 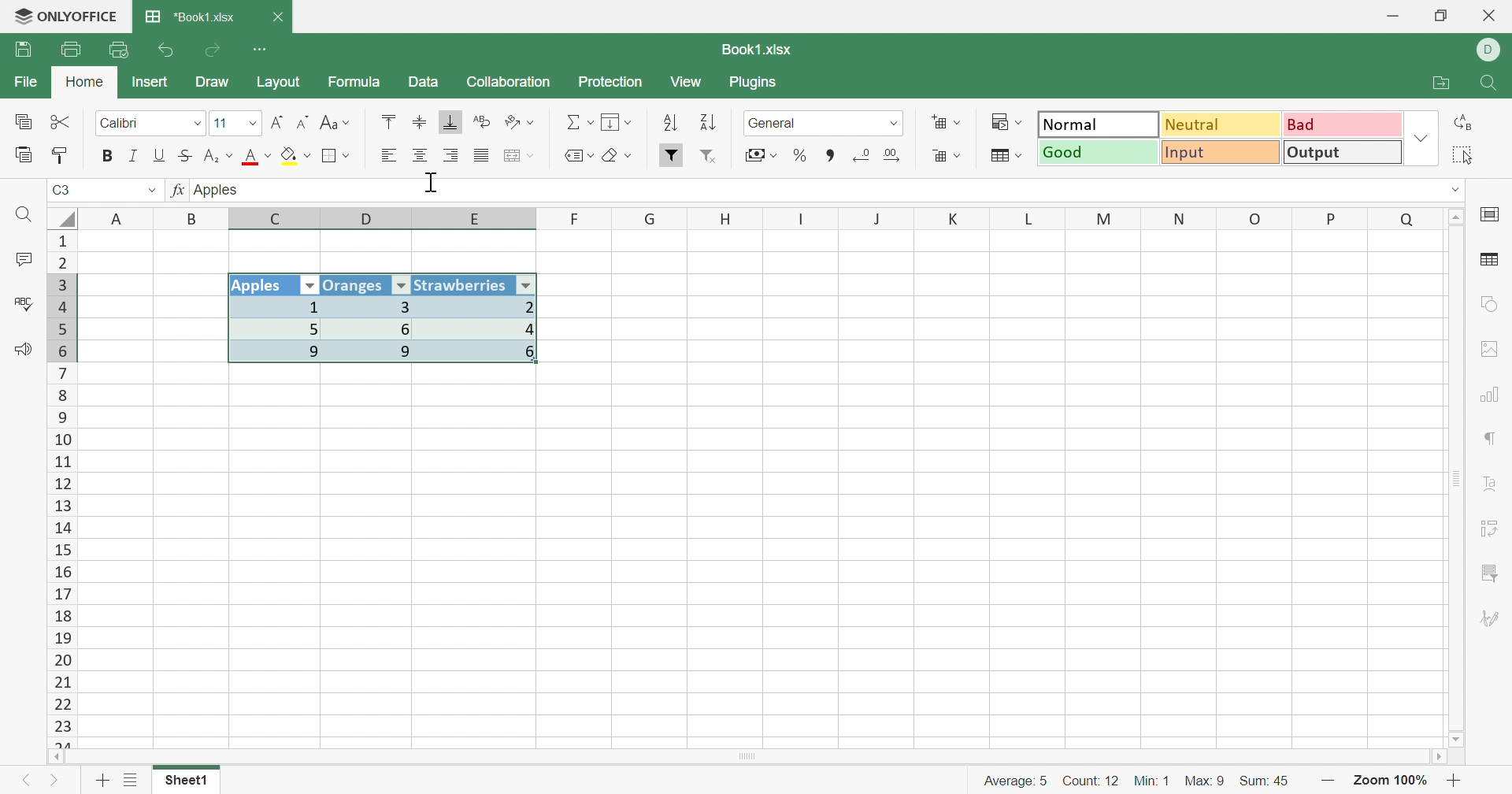 I want to click on Zoom out, so click(x=1329, y=780).